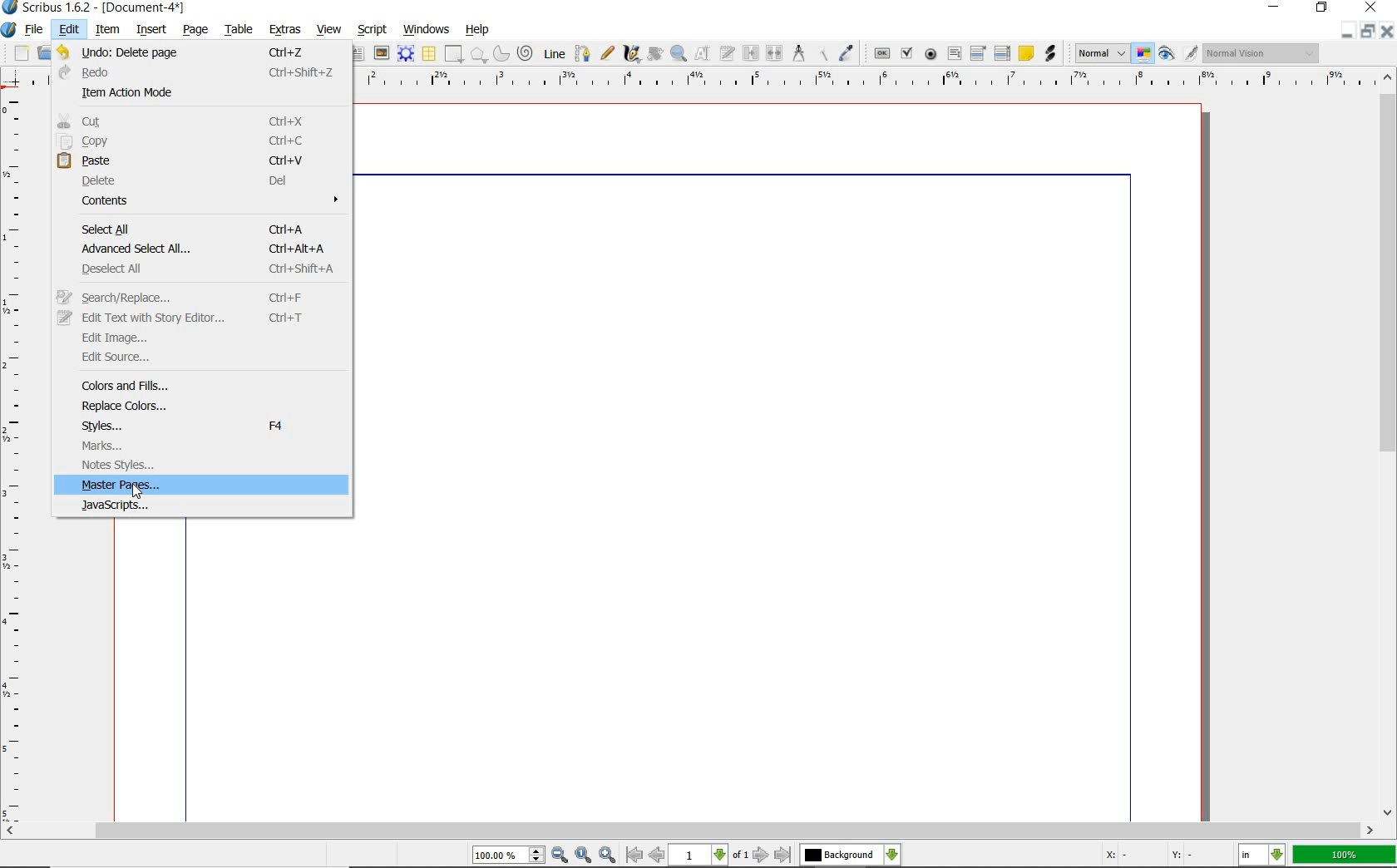 Image resolution: width=1397 pixels, height=868 pixels. Describe the element at coordinates (1179, 53) in the screenshot. I see `preview mode` at that location.